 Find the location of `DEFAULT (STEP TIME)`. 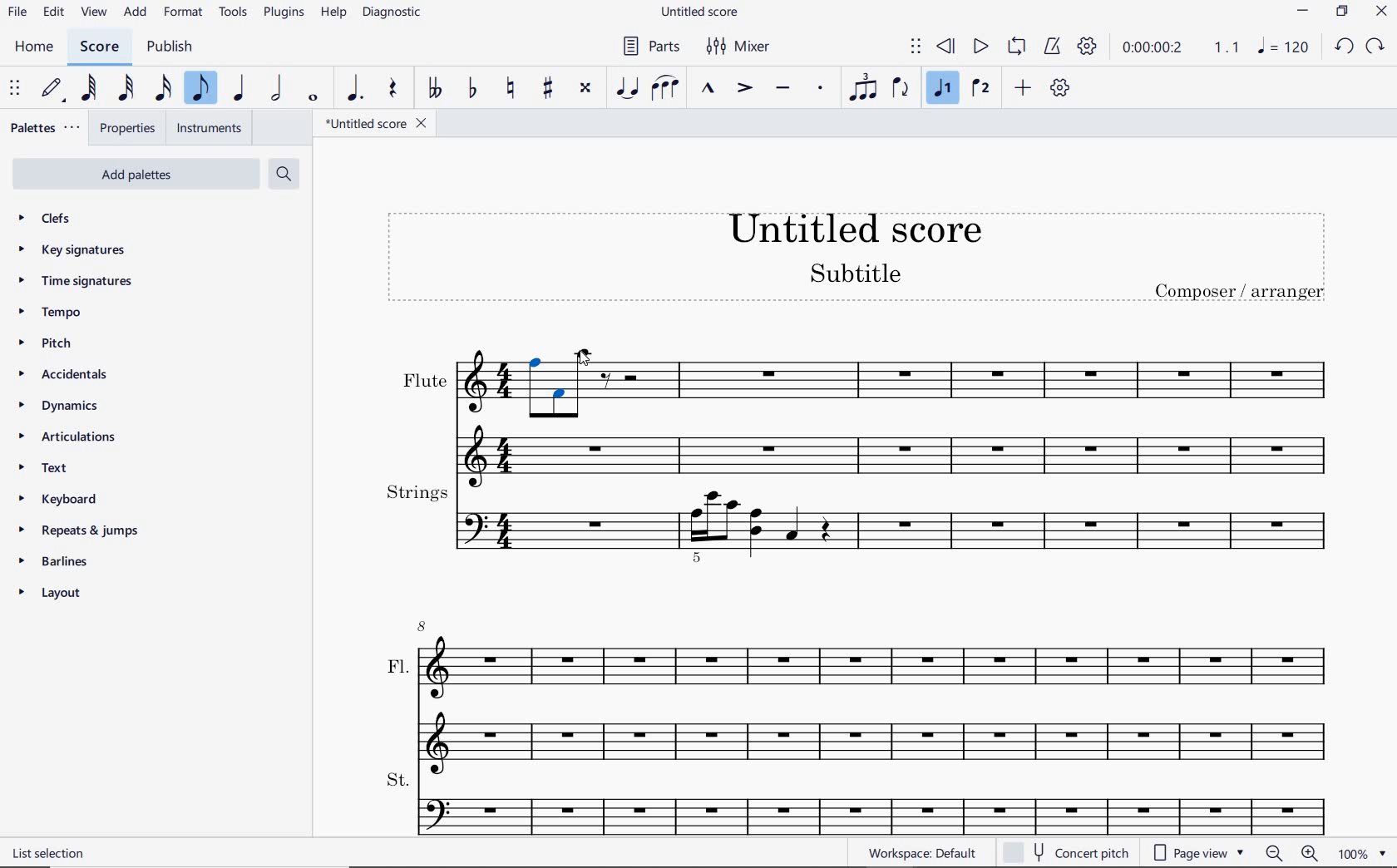

DEFAULT (STEP TIME) is located at coordinates (50, 89).